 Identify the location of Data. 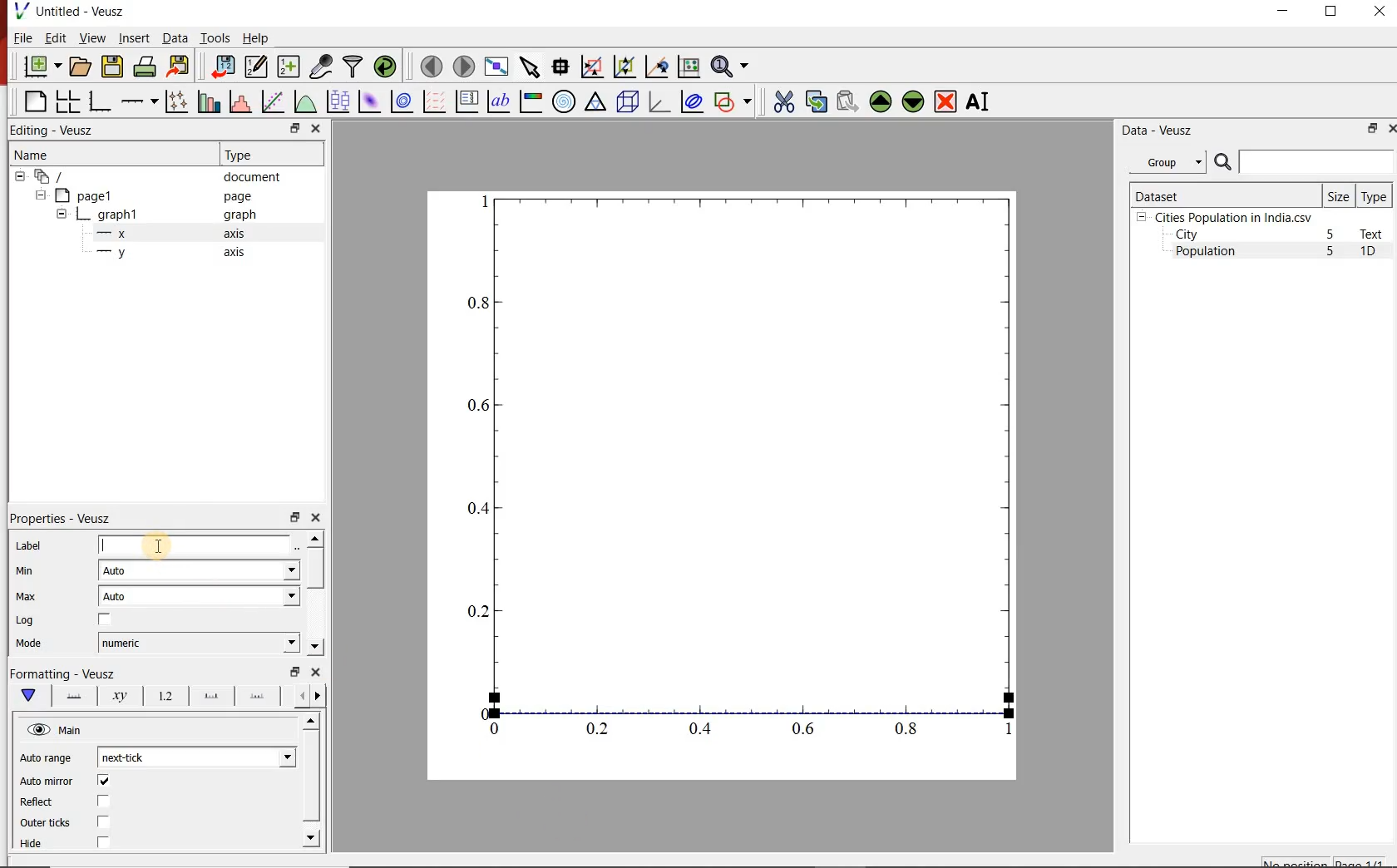
(175, 39).